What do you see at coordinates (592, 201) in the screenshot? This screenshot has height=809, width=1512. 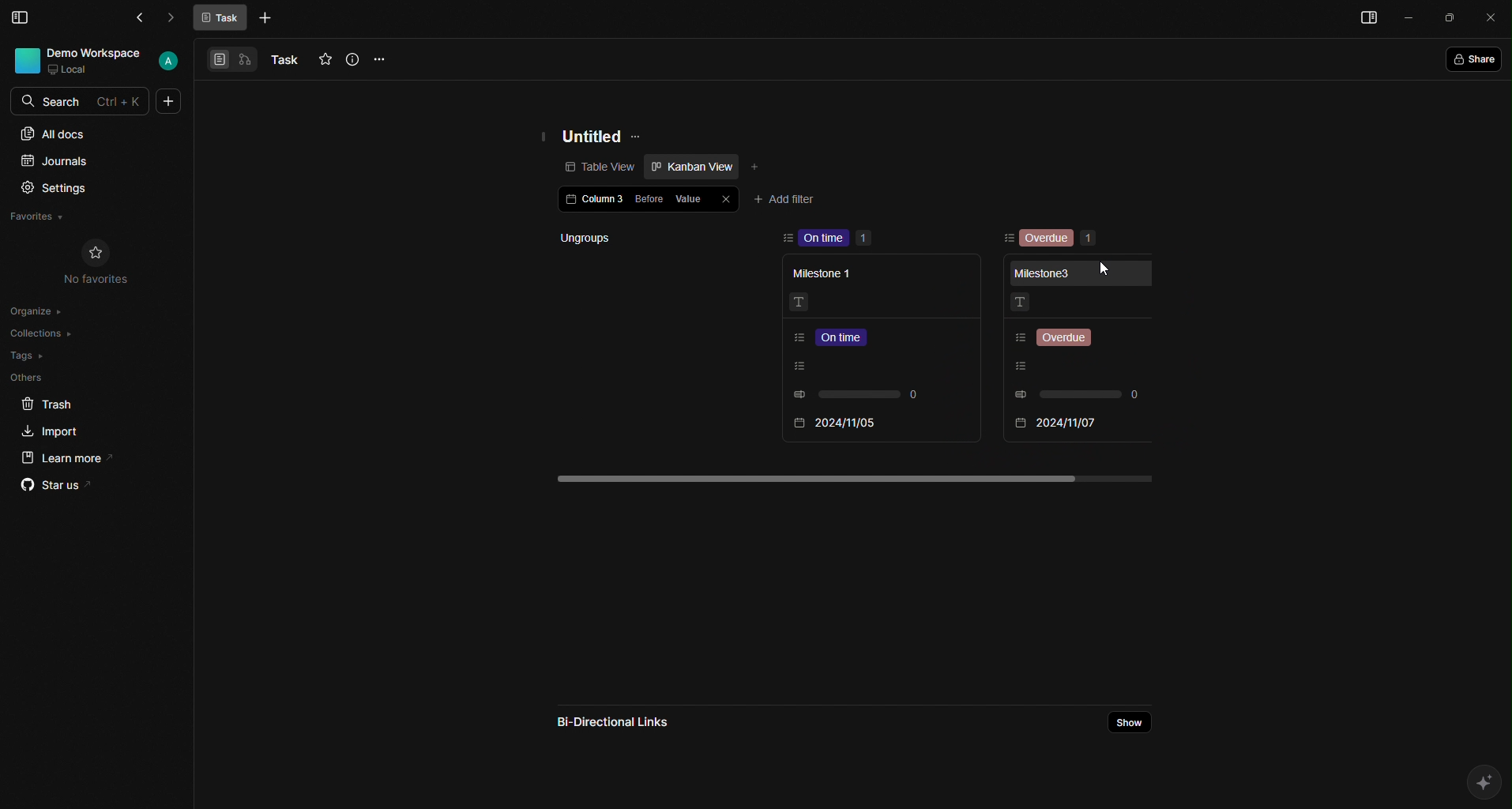 I see `Column 3` at bounding box center [592, 201].